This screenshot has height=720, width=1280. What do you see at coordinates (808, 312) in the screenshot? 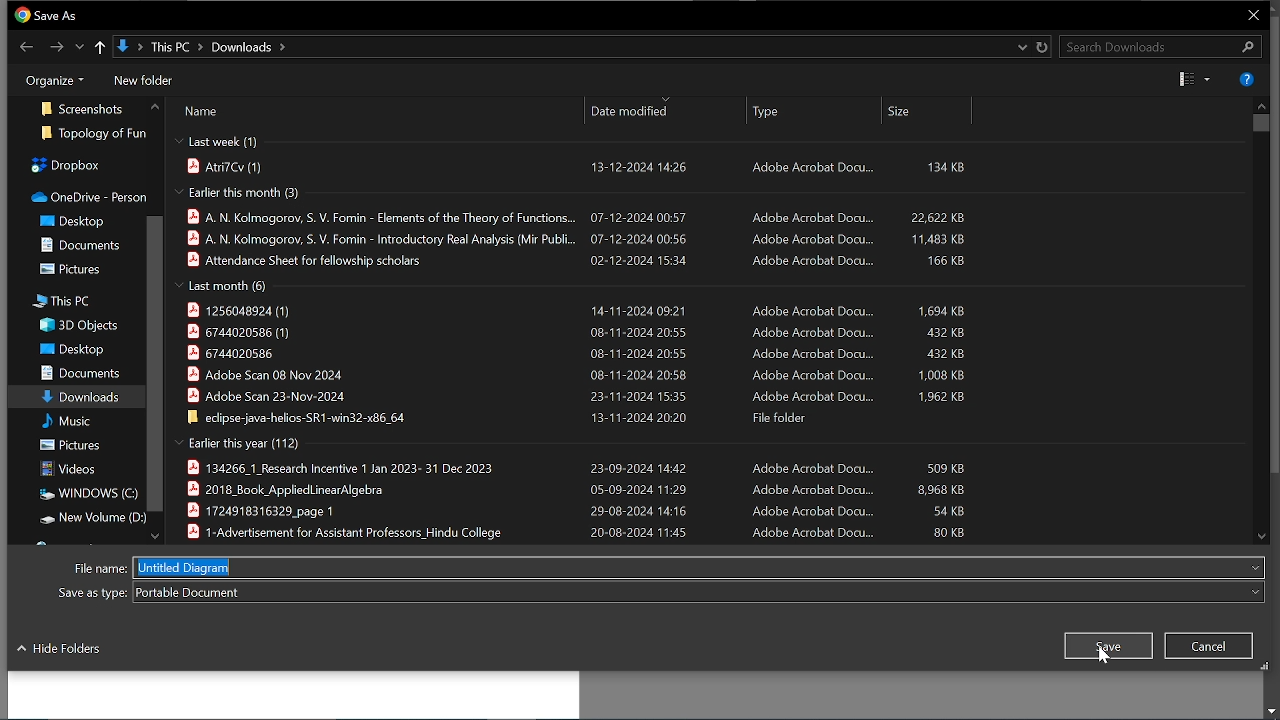
I see `‘Adobe Acrobat Docu...` at bounding box center [808, 312].